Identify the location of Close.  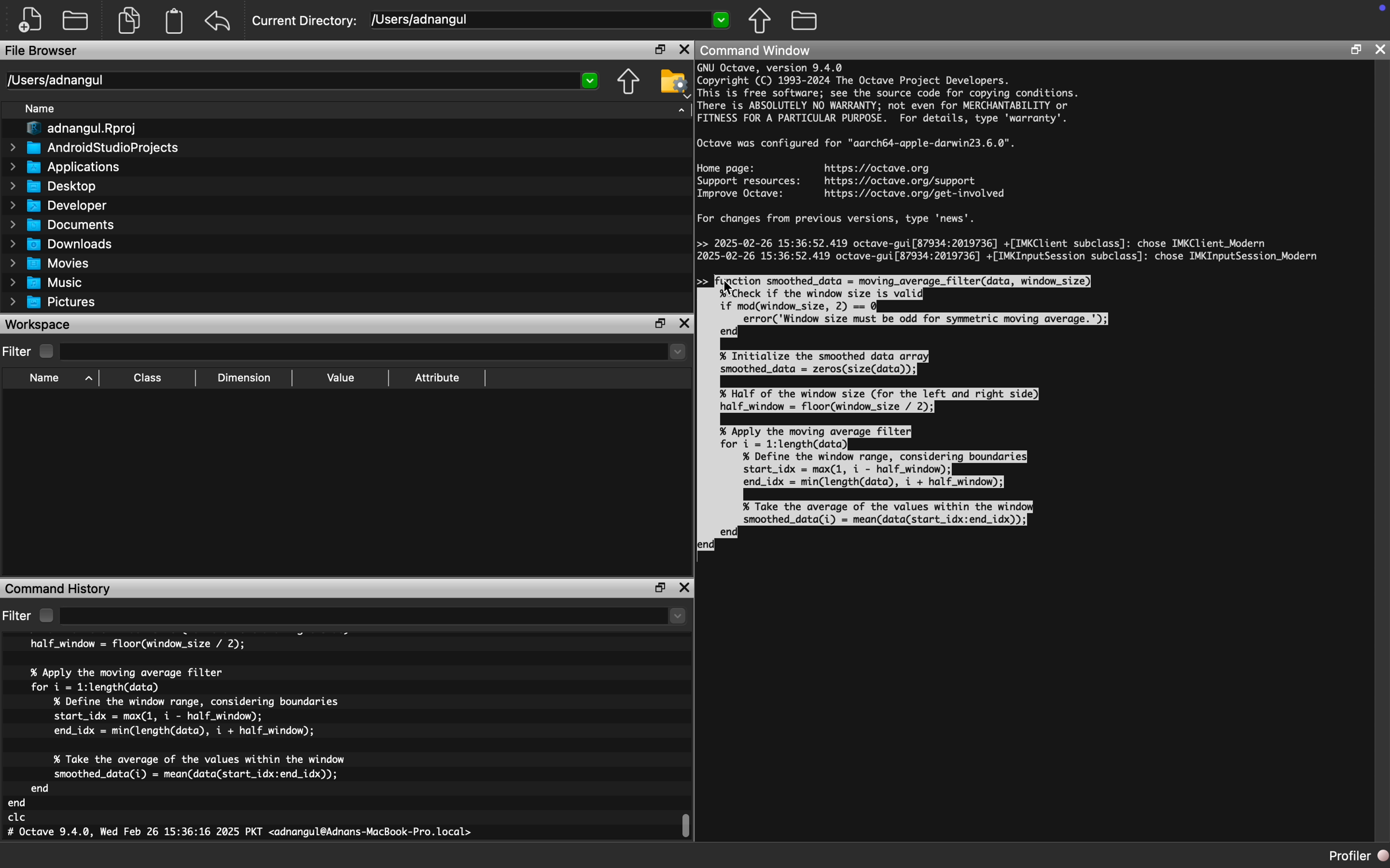
(684, 50).